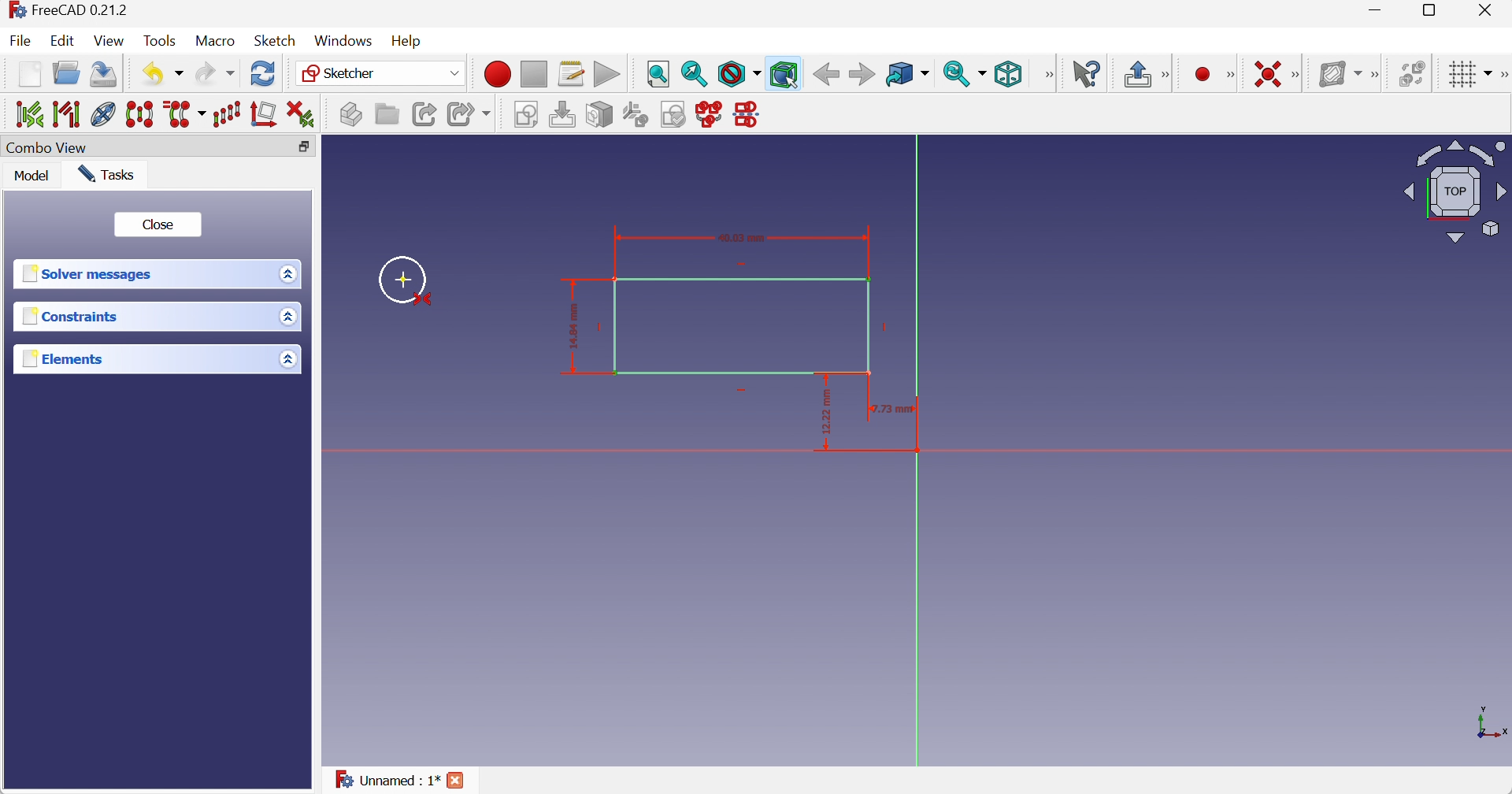 The height and width of the screenshot is (794, 1512). What do you see at coordinates (408, 42) in the screenshot?
I see `Help` at bounding box center [408, 42].